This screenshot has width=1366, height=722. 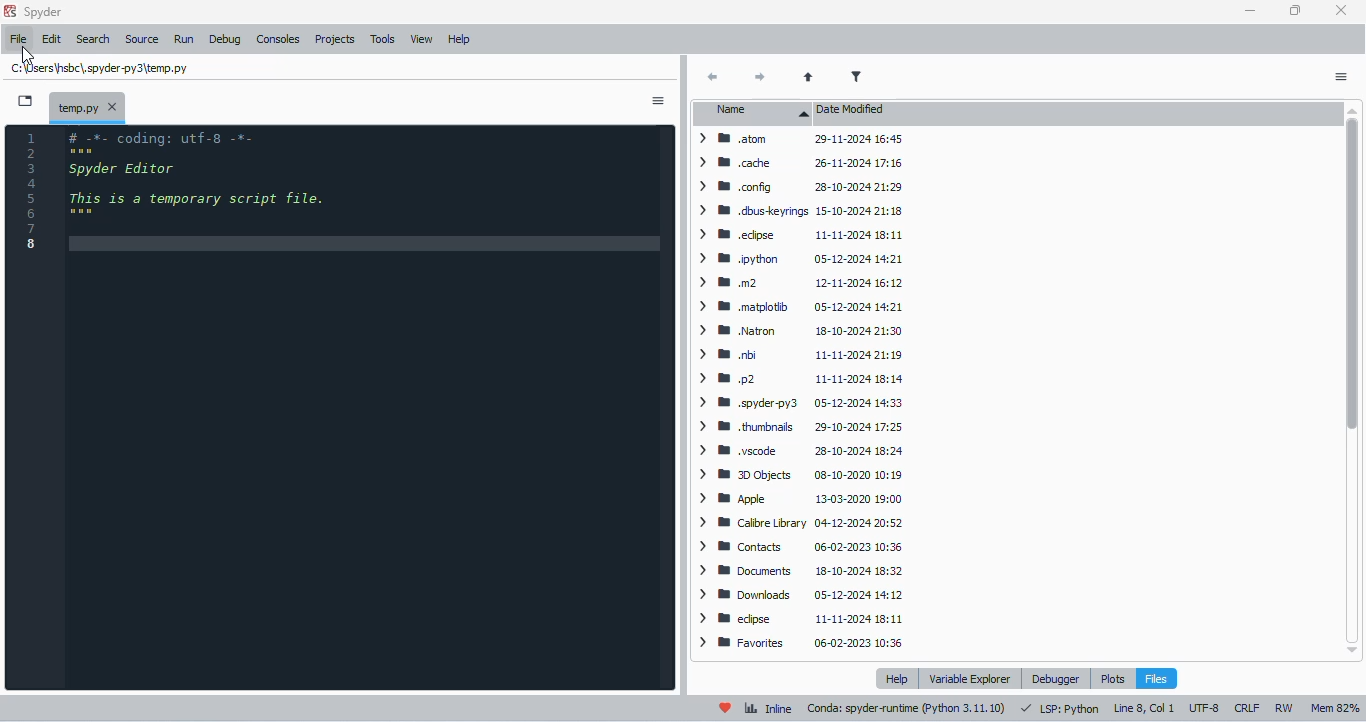 What do you see at coordinates (277, 40) in the screenshot?
I see `consoles` at bounding box center [277, 40].